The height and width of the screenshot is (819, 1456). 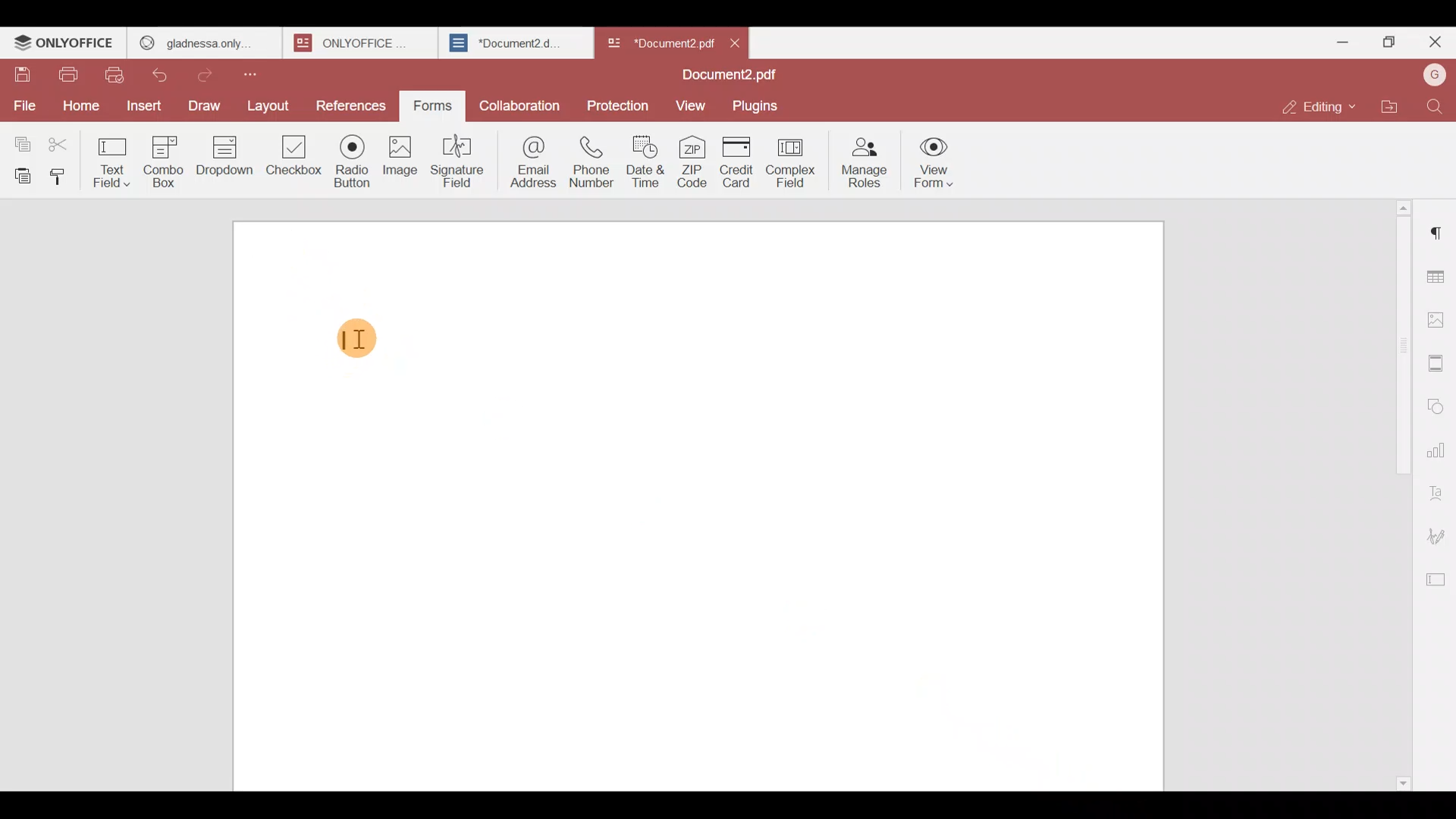 What do you see at coordinates (931, 162) in the screenshot?
I see `View form` at bounding box center [931, 162].